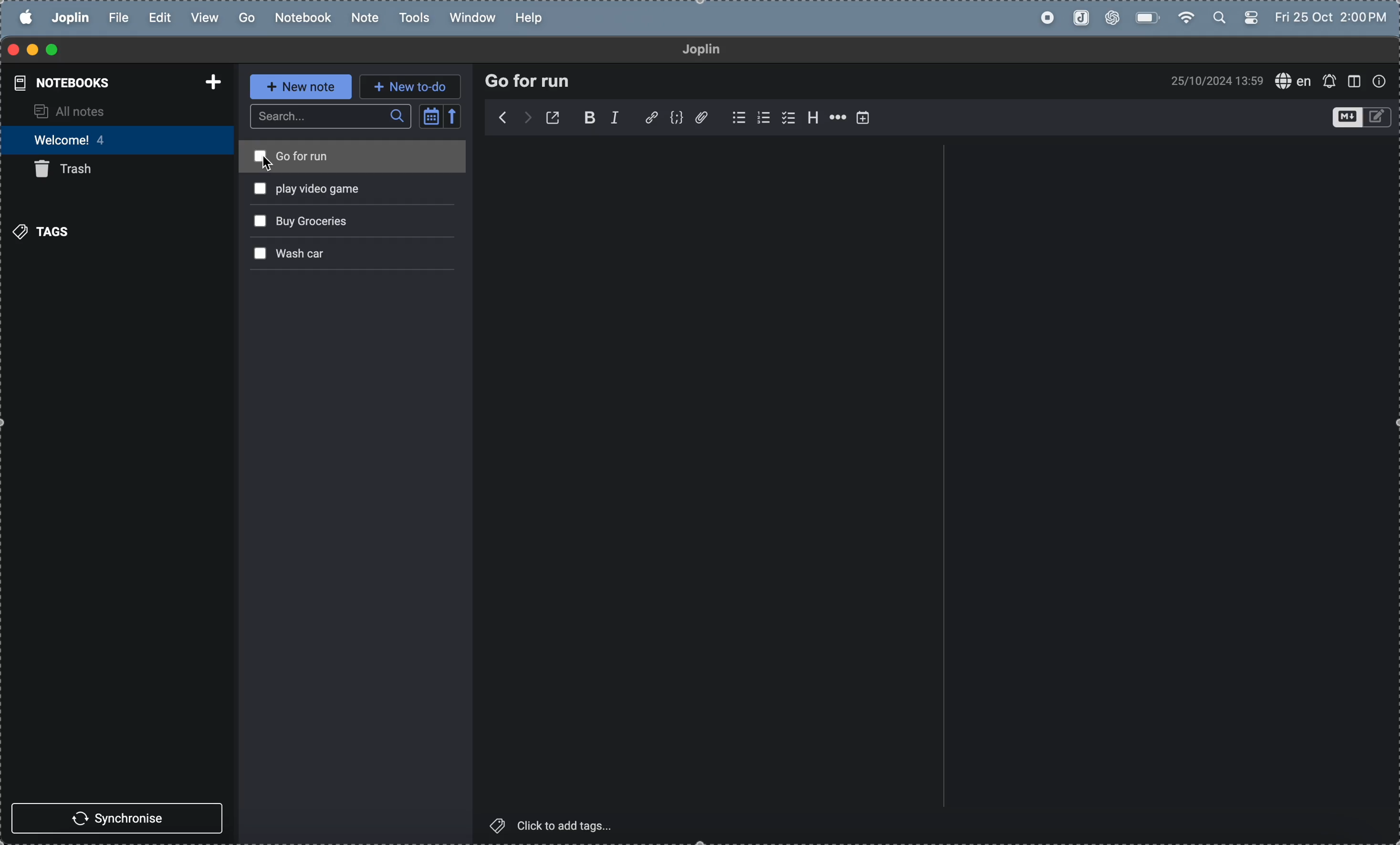 The height and width of the screenshot is (845, 1400). I want to click on play video games, so click(338, 187).